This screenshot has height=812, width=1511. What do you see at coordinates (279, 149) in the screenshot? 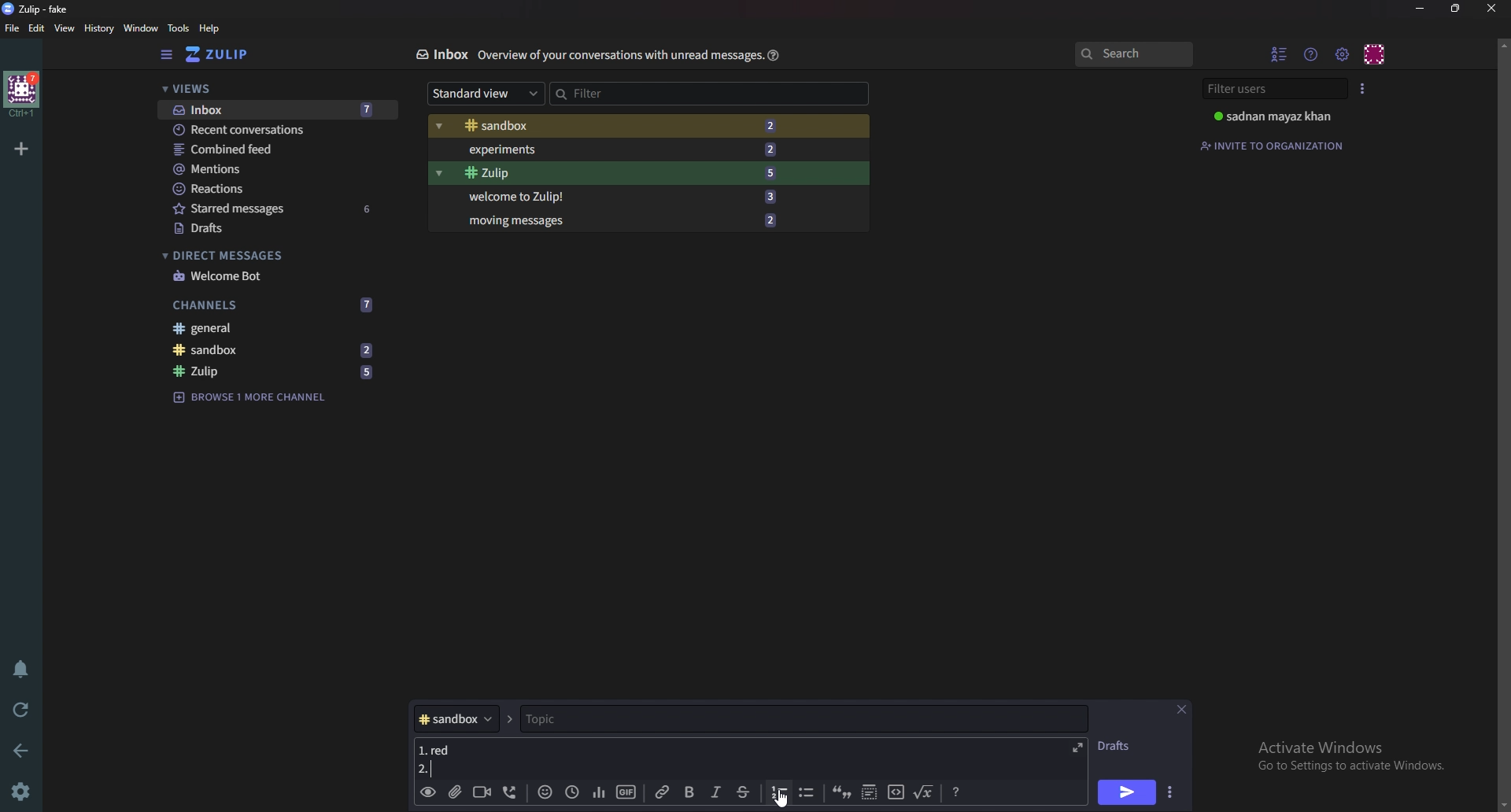
I see `Combine feed` at bounding box center [279, 149].